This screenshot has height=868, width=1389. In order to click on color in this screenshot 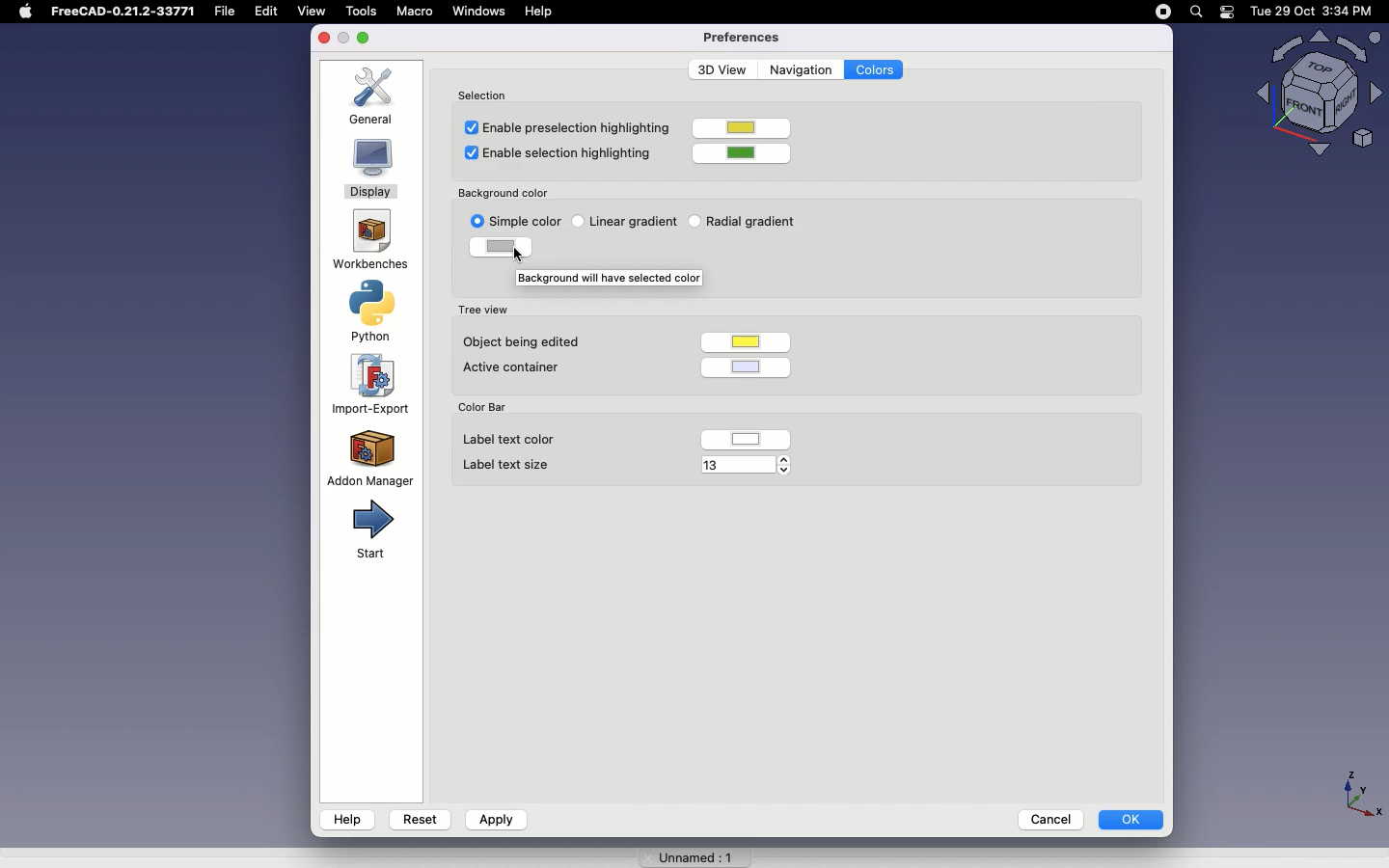, I will do `click(744, 129)`.